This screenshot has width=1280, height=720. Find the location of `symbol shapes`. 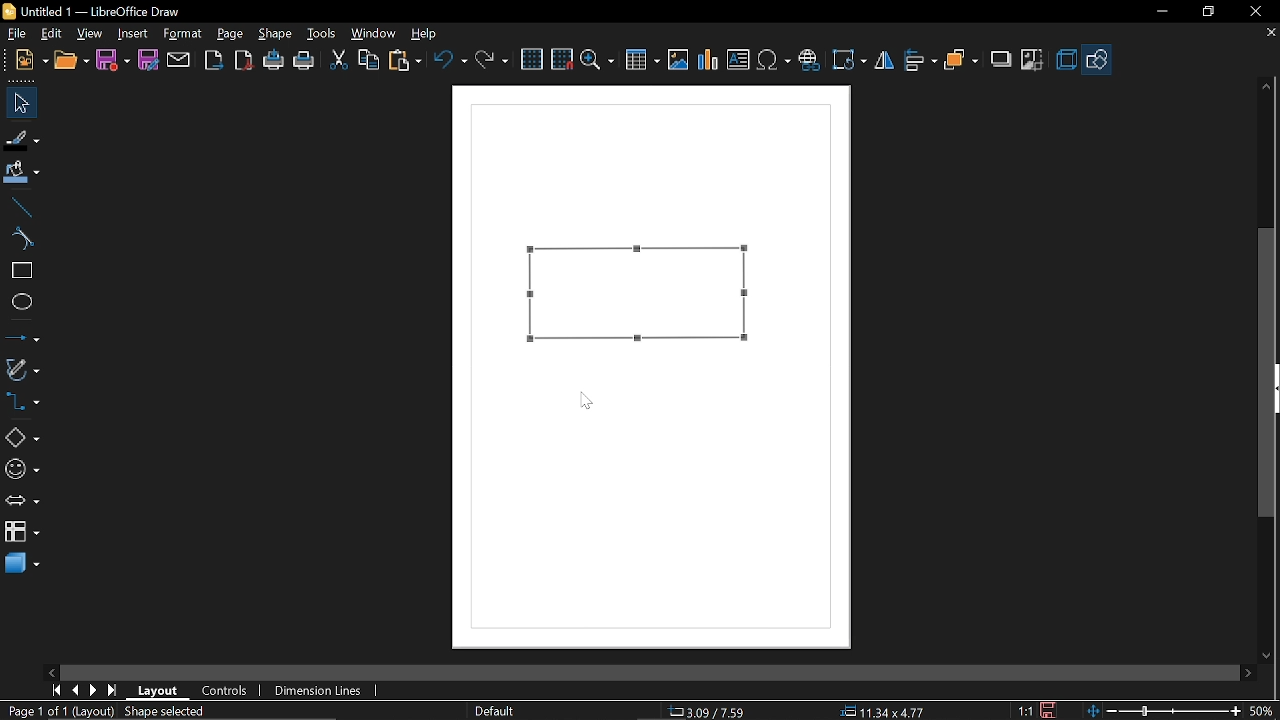

symbol shapes is located at coordinates (22, 472).